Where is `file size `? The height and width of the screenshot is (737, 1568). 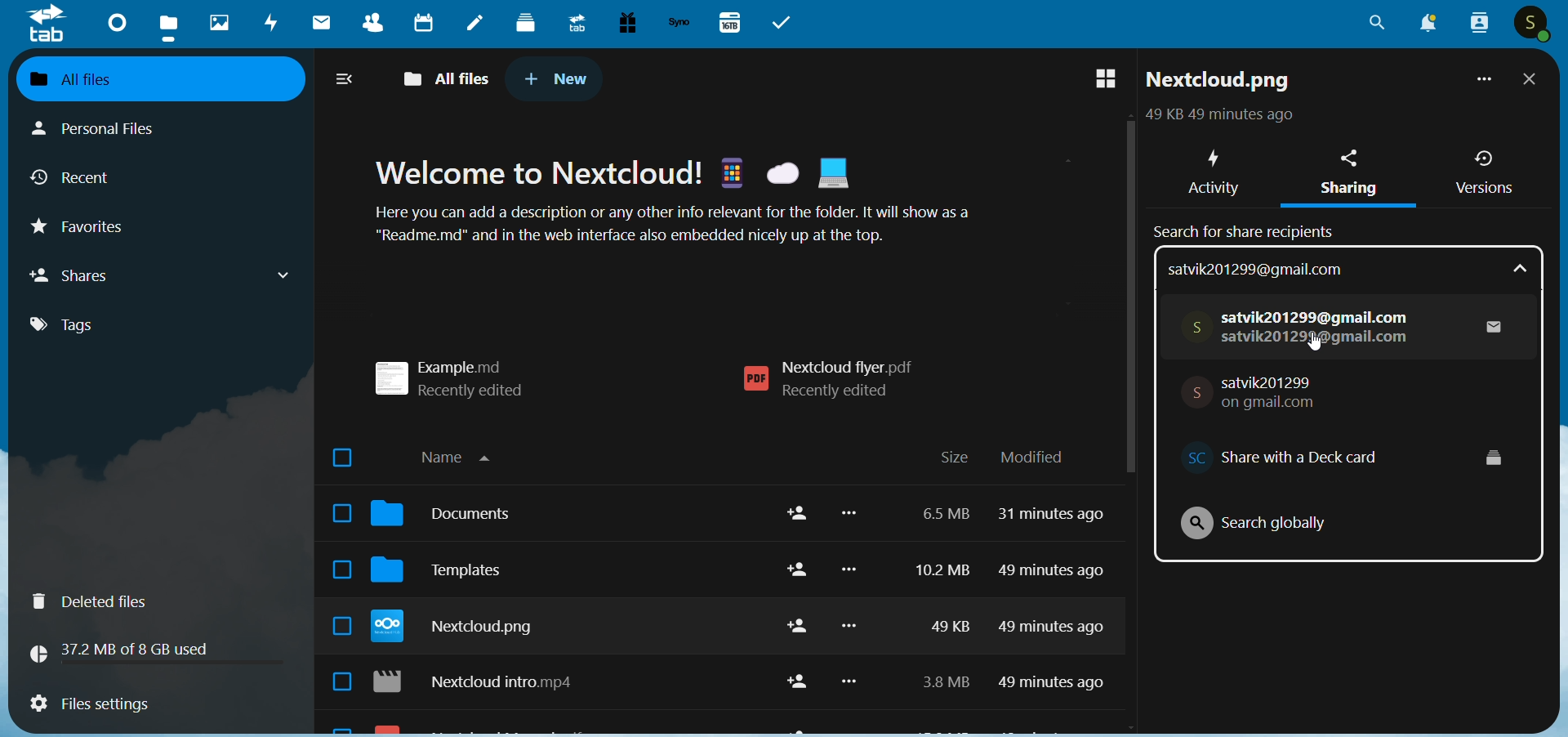
file size  is located at coordinates (938, 603).